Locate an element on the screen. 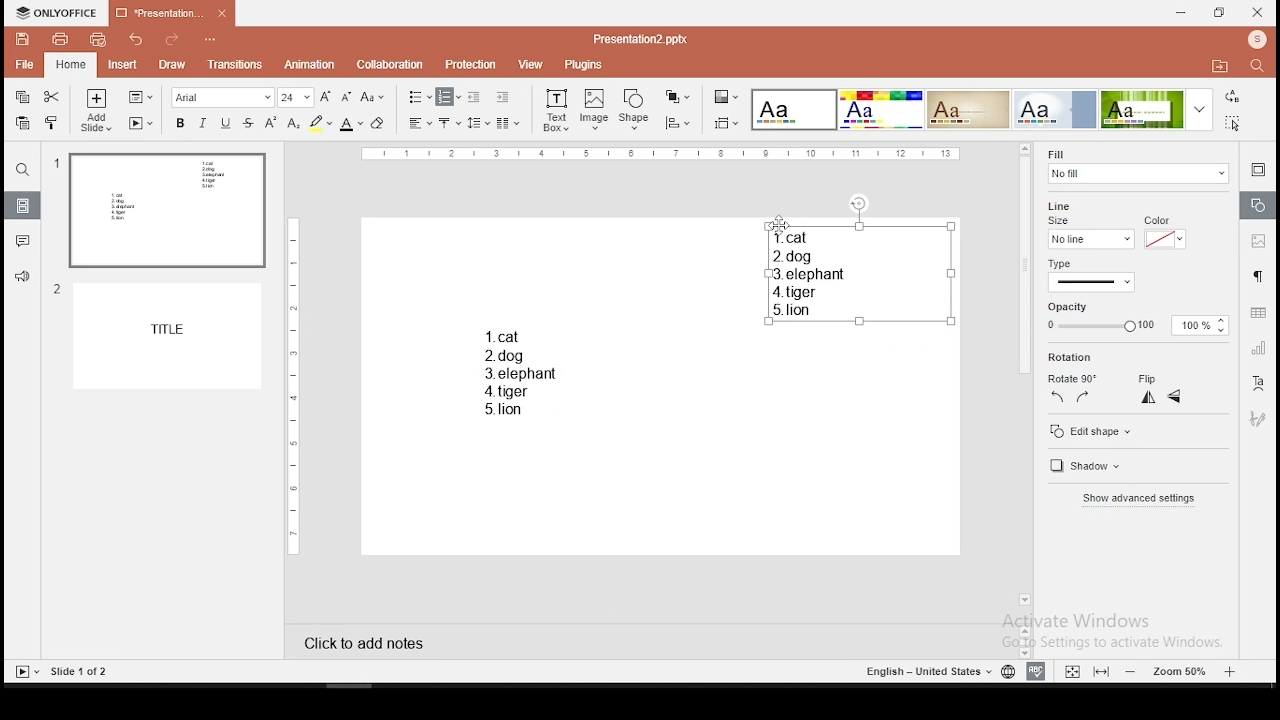 This screenshot has height=720, width=1280. quick print is located at coordinates (97, 39).